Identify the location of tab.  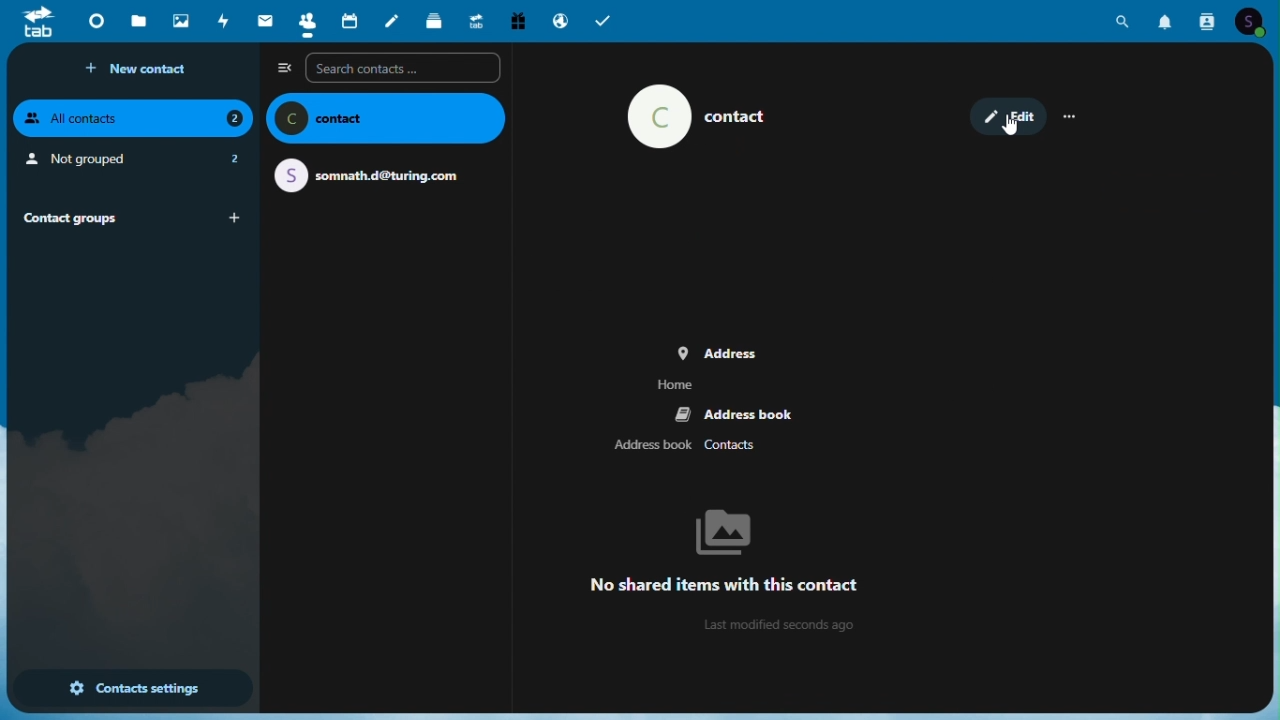
(36, 24).